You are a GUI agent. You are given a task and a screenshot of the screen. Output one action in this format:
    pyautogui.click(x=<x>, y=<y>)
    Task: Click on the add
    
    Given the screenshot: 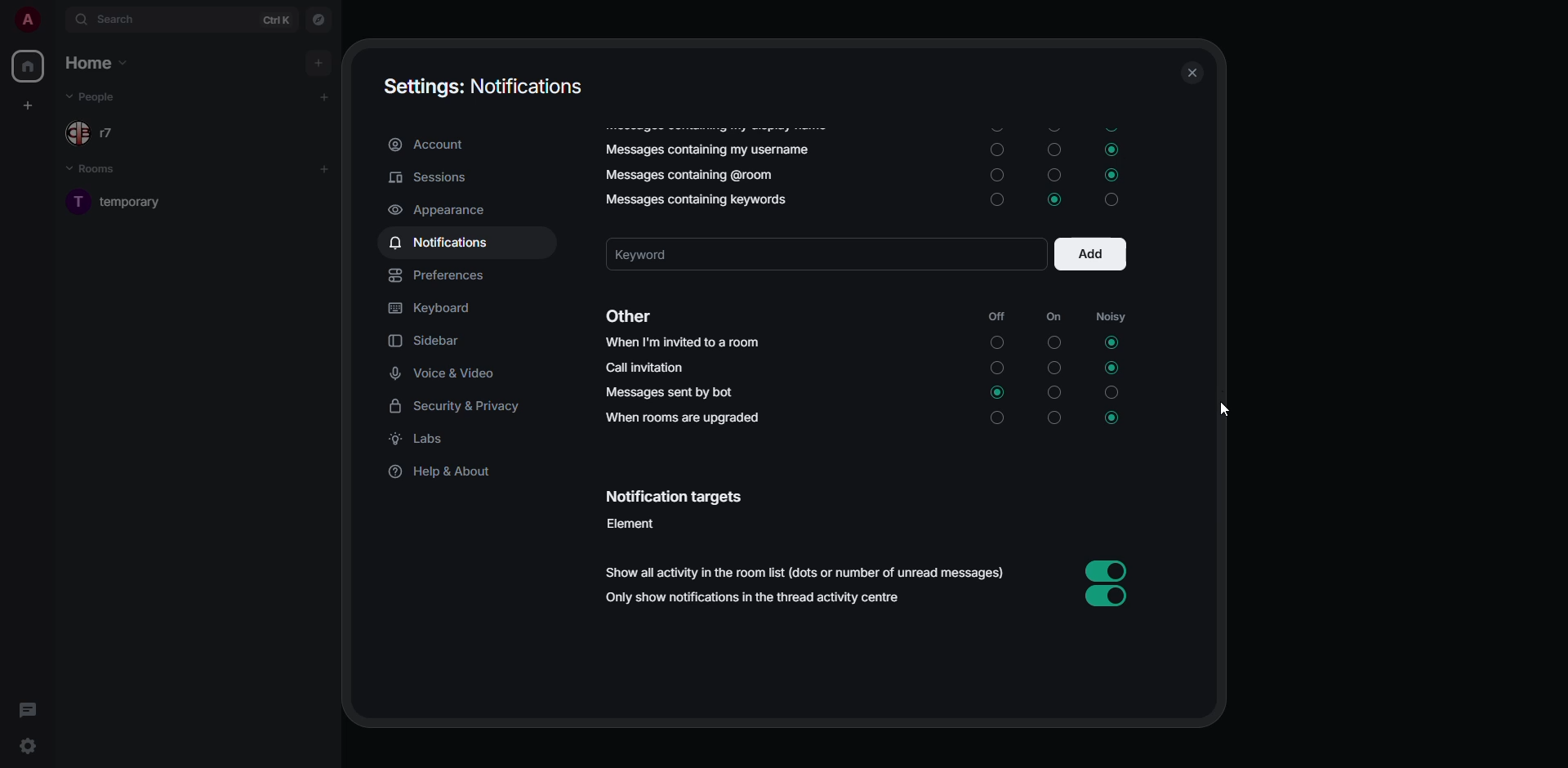 What is the action you would take?
    pyautogui.click(x=326, y=165)
    